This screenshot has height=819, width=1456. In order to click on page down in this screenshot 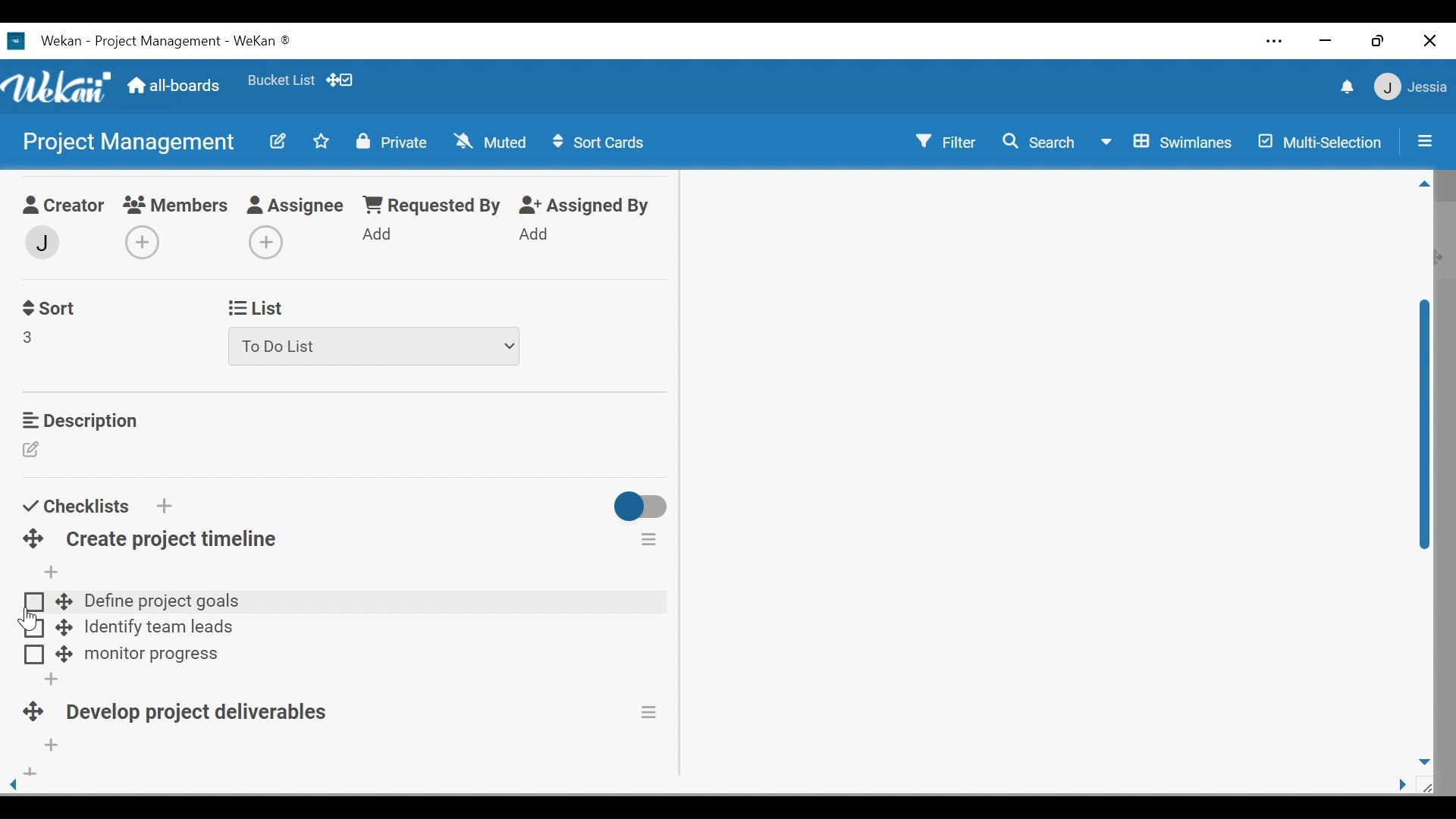, I will do `click(1426, 758)`.